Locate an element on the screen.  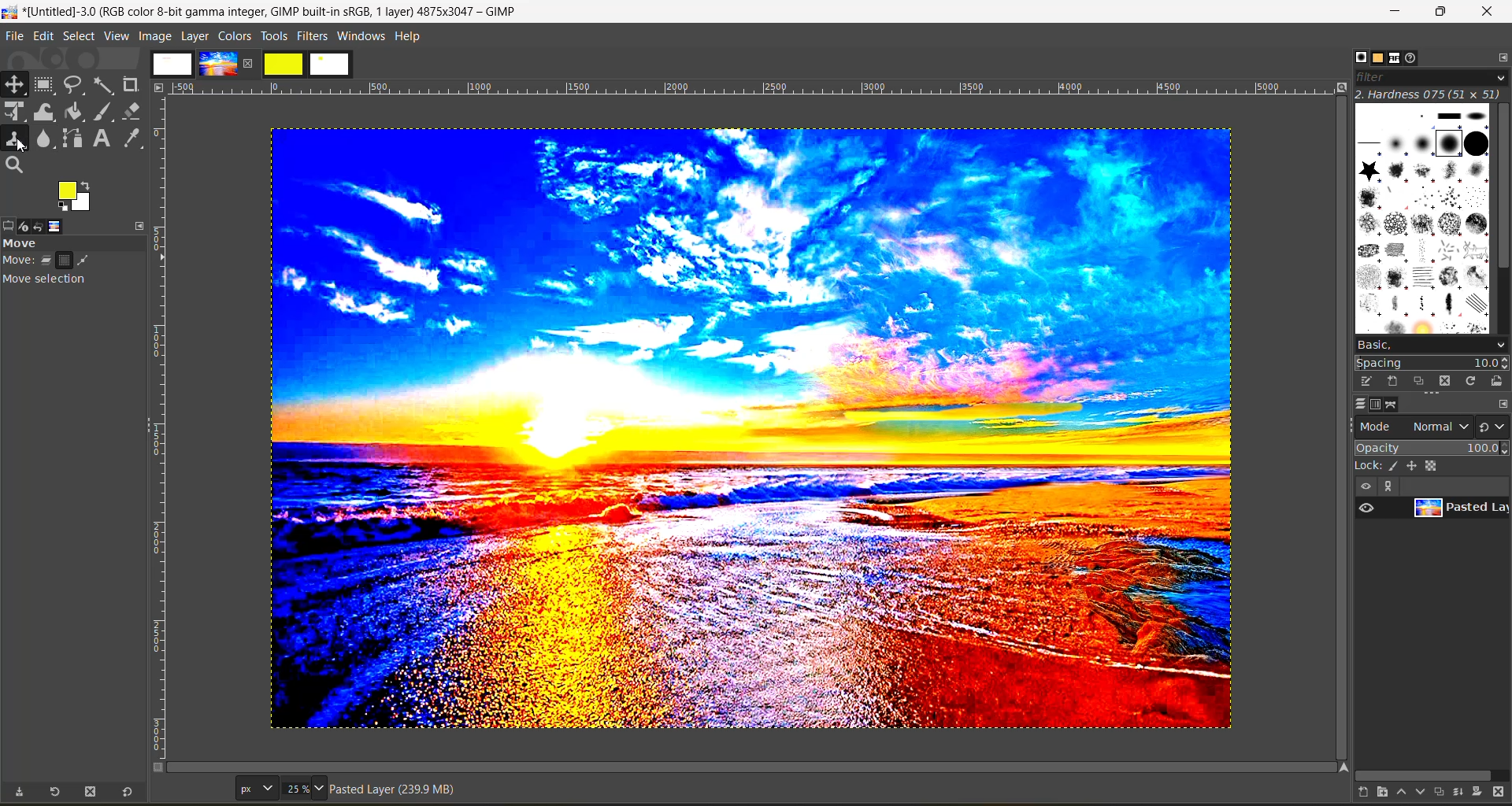
images is located at coordinates (172, 64).